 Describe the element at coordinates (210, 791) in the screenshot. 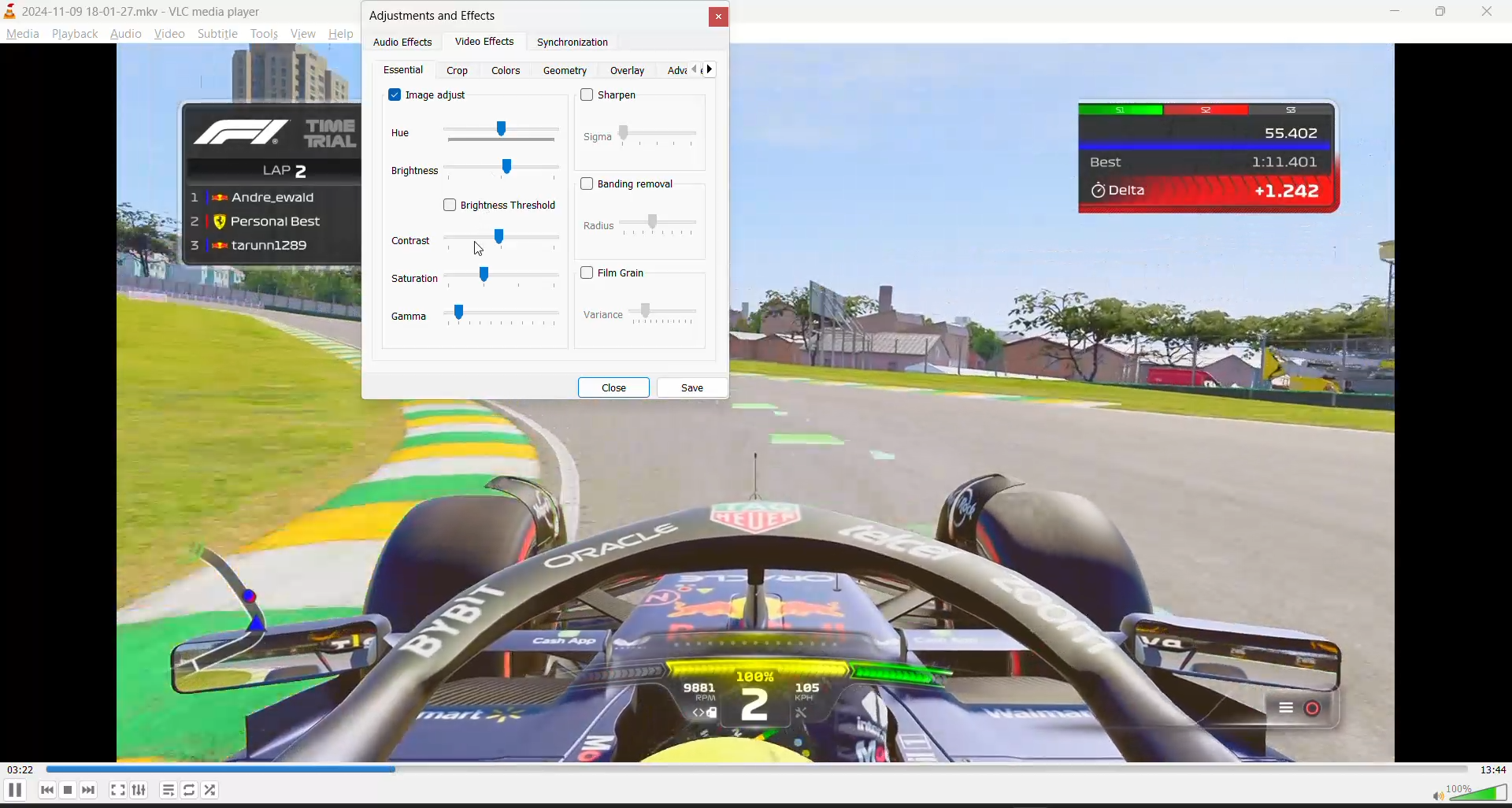

I see `loop` at that location.